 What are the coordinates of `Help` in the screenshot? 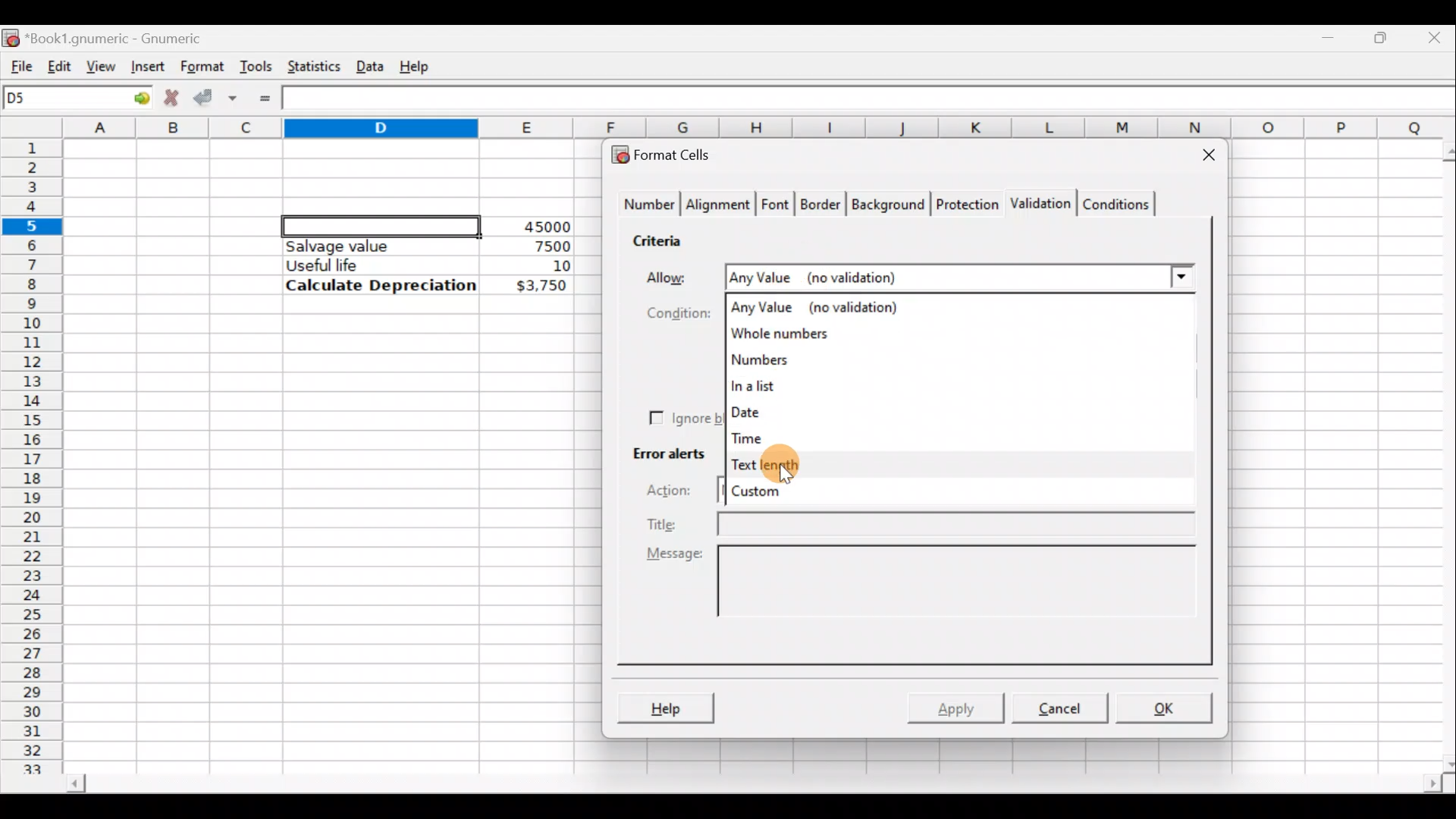 It's located at (665, 710).